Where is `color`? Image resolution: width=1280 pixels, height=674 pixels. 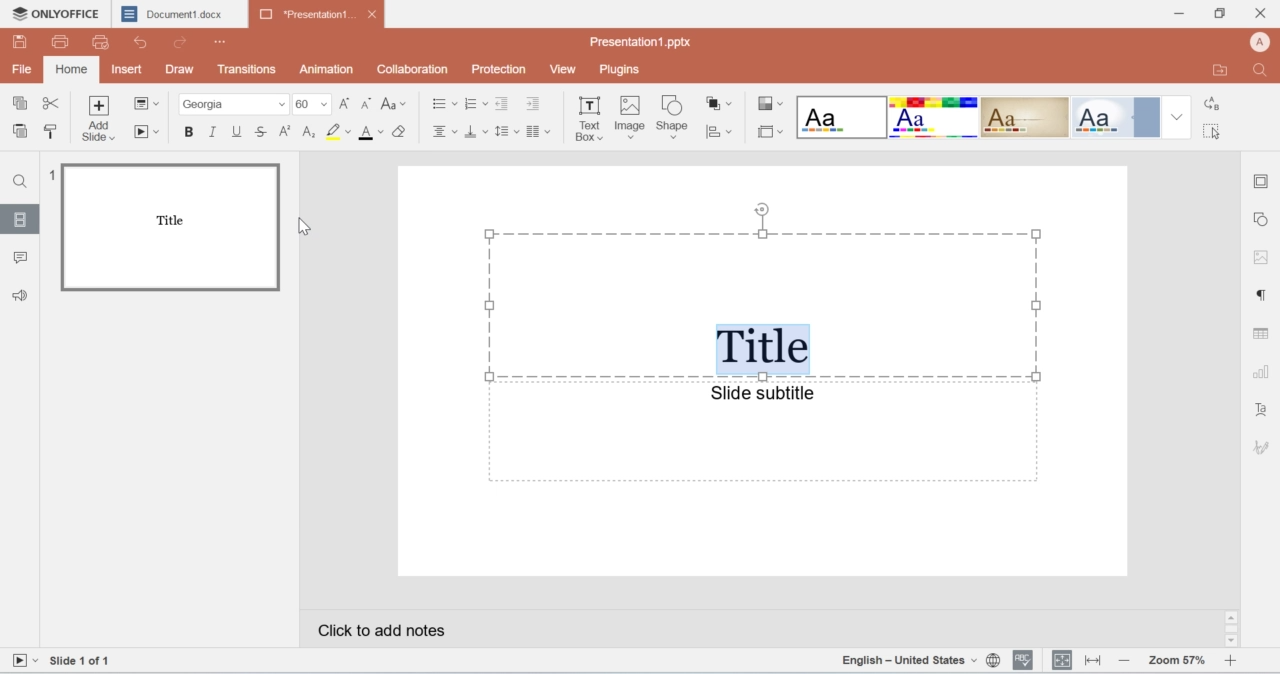
color is located at coordinates (338, 132).